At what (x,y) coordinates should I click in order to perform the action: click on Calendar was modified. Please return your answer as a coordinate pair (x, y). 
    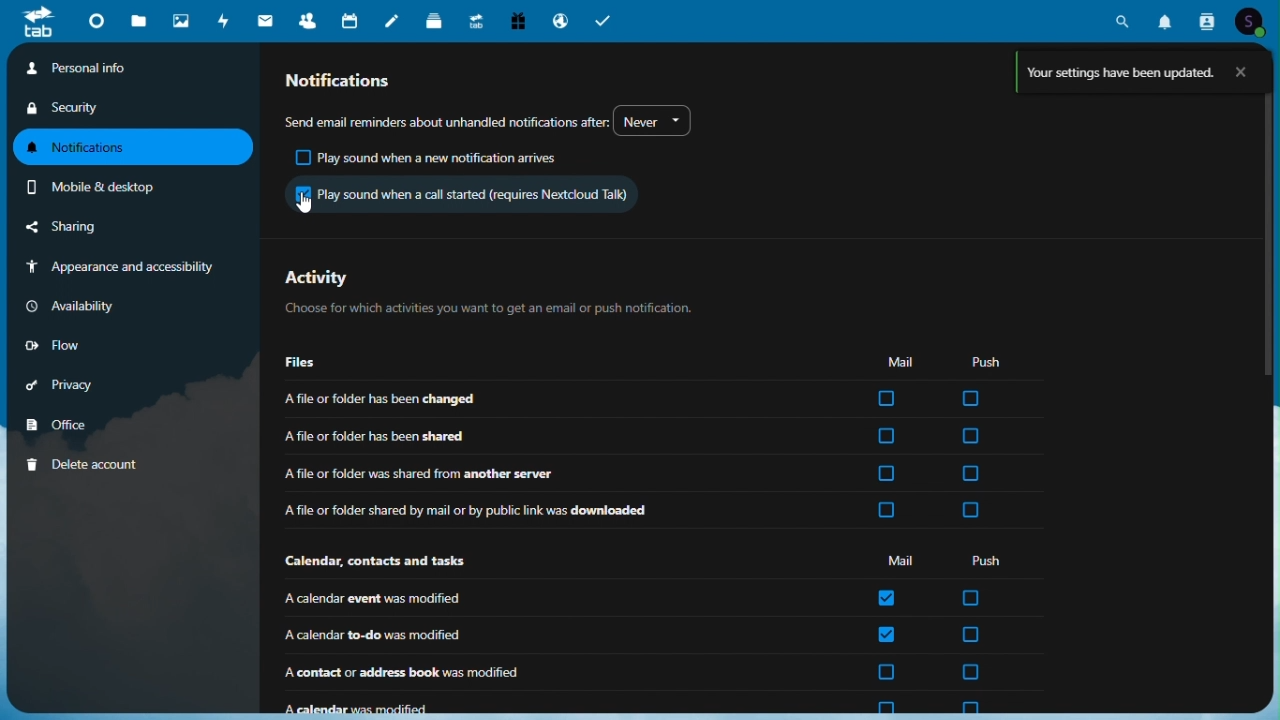
    Looking at the image, I should click on (538, 703).